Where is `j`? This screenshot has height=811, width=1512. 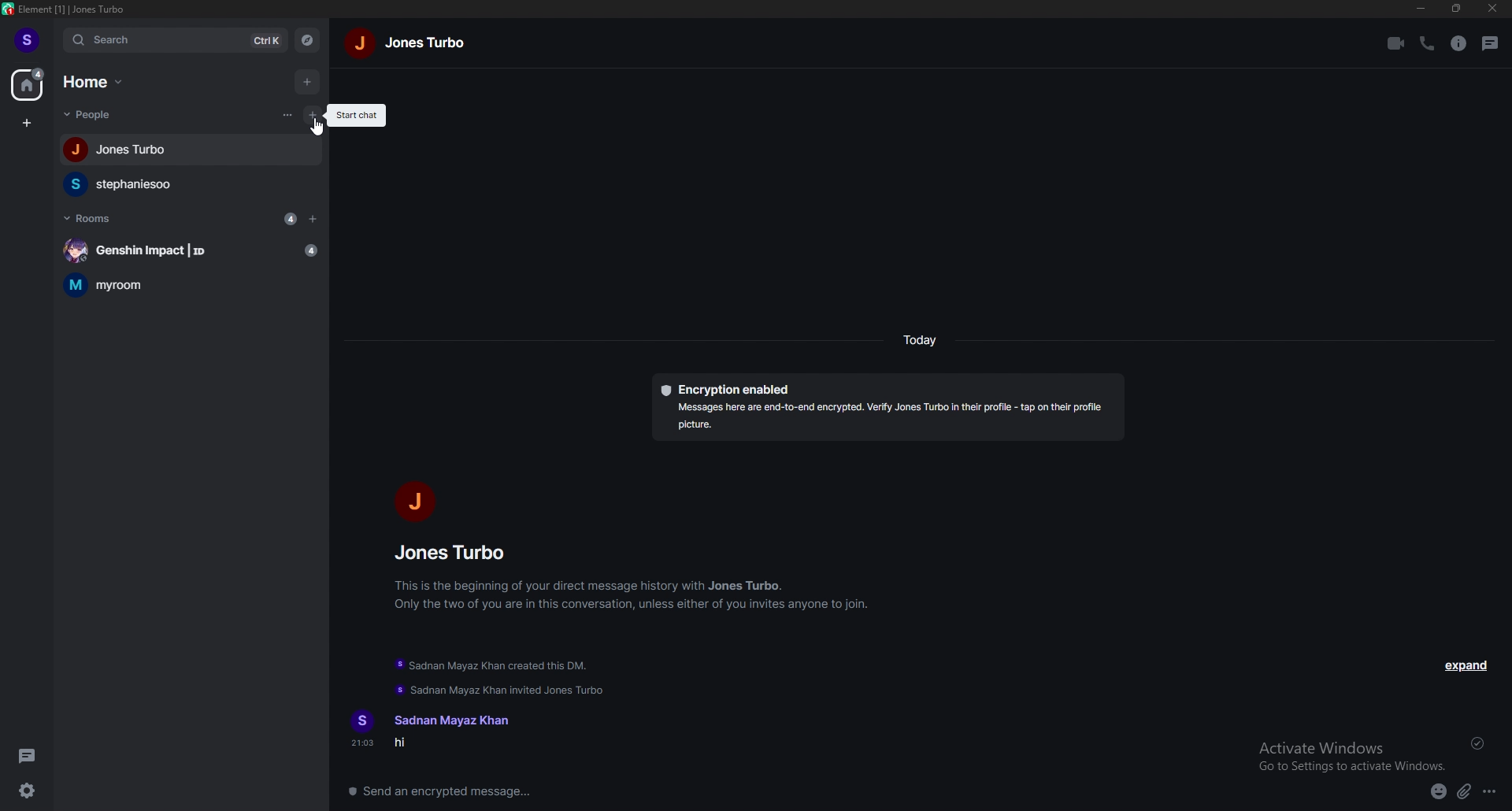 j is located at coordinates (414, 502).